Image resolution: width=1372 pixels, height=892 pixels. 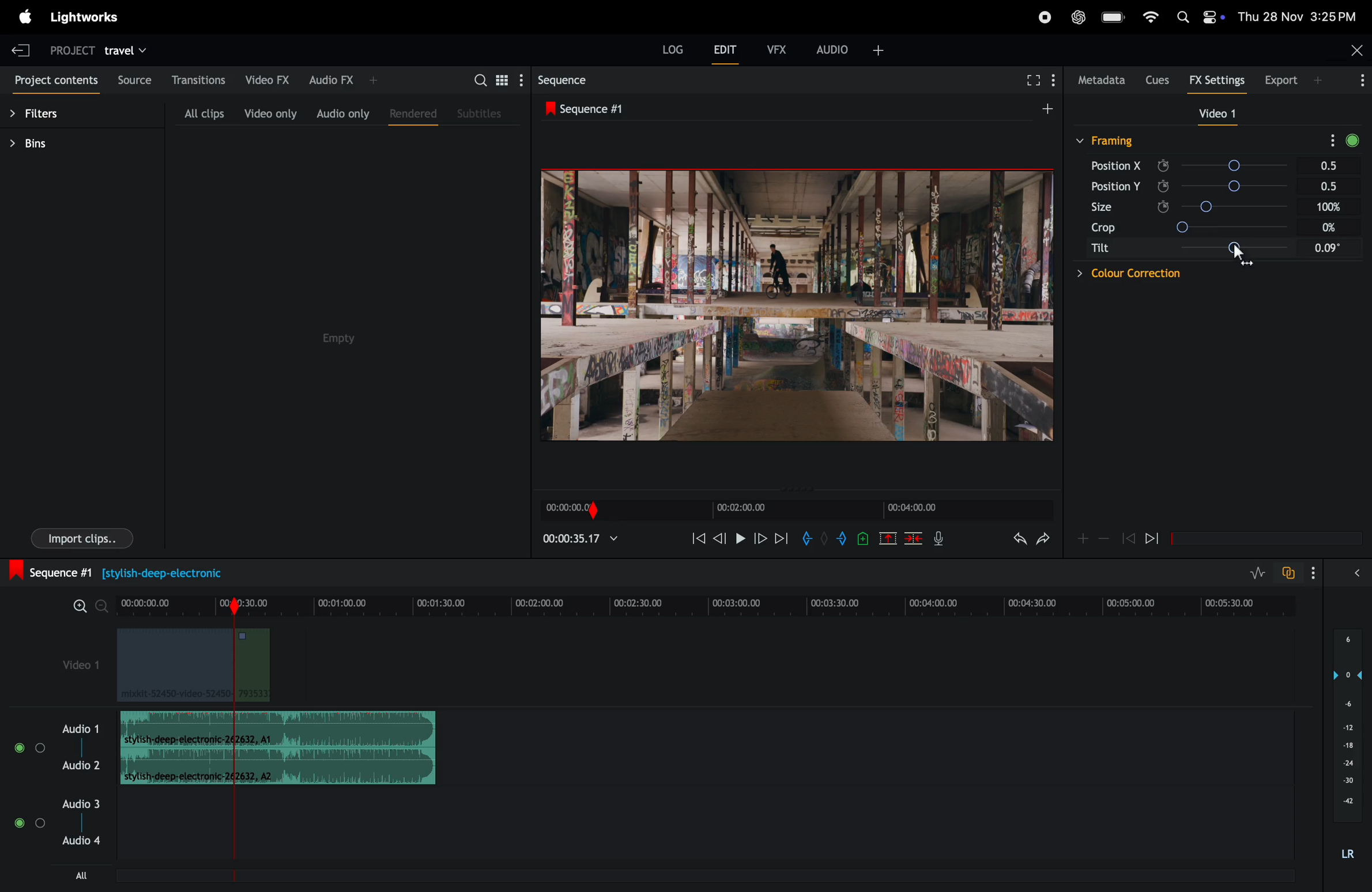 I want to click on tilt angle slider: 0.09°, so click(x=1264, y=252).